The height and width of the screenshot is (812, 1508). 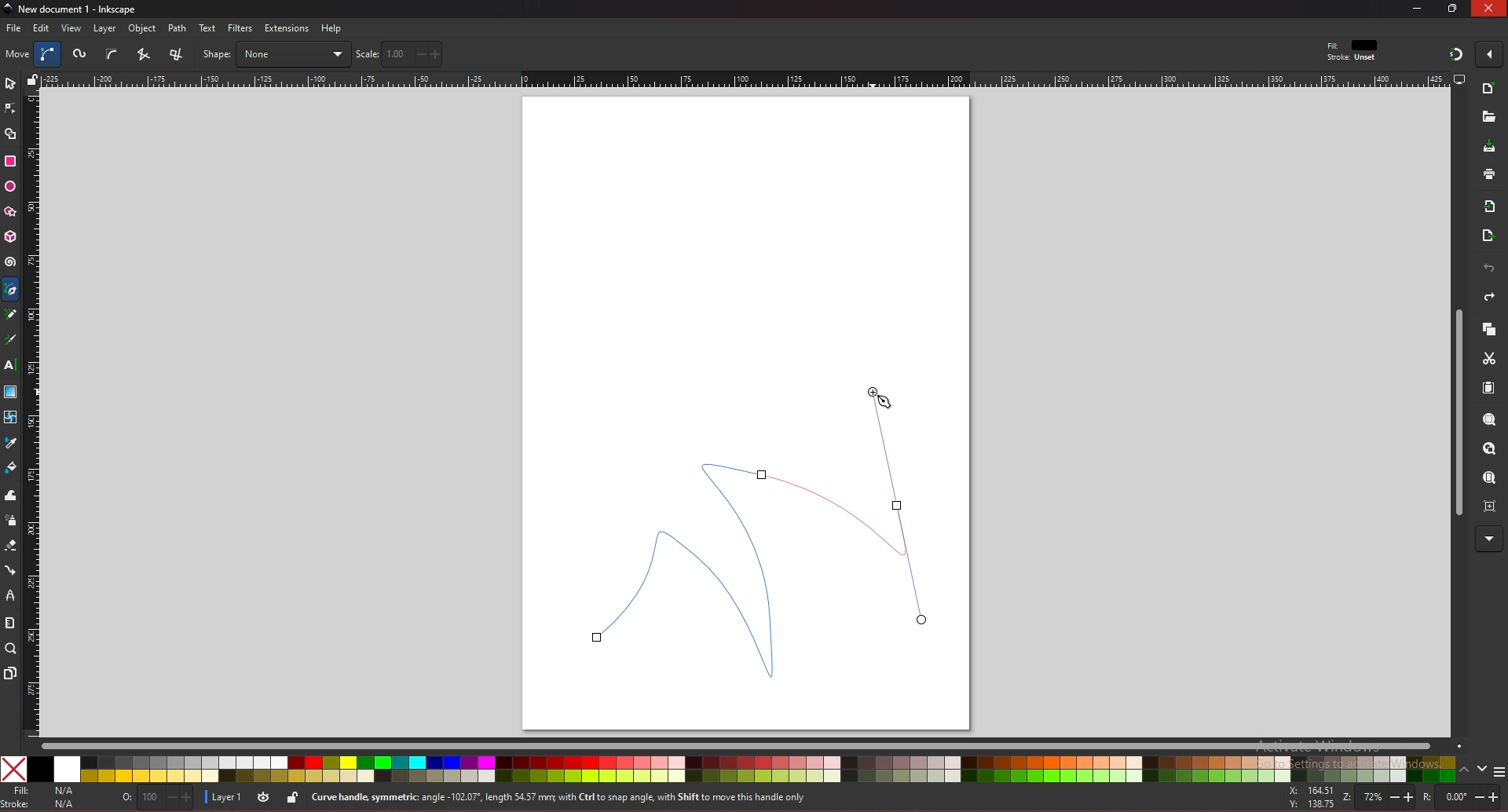 What do you see at coordinates (1490, 148) in the screenshot?
I see `save` at bounding box center [1490, 148].